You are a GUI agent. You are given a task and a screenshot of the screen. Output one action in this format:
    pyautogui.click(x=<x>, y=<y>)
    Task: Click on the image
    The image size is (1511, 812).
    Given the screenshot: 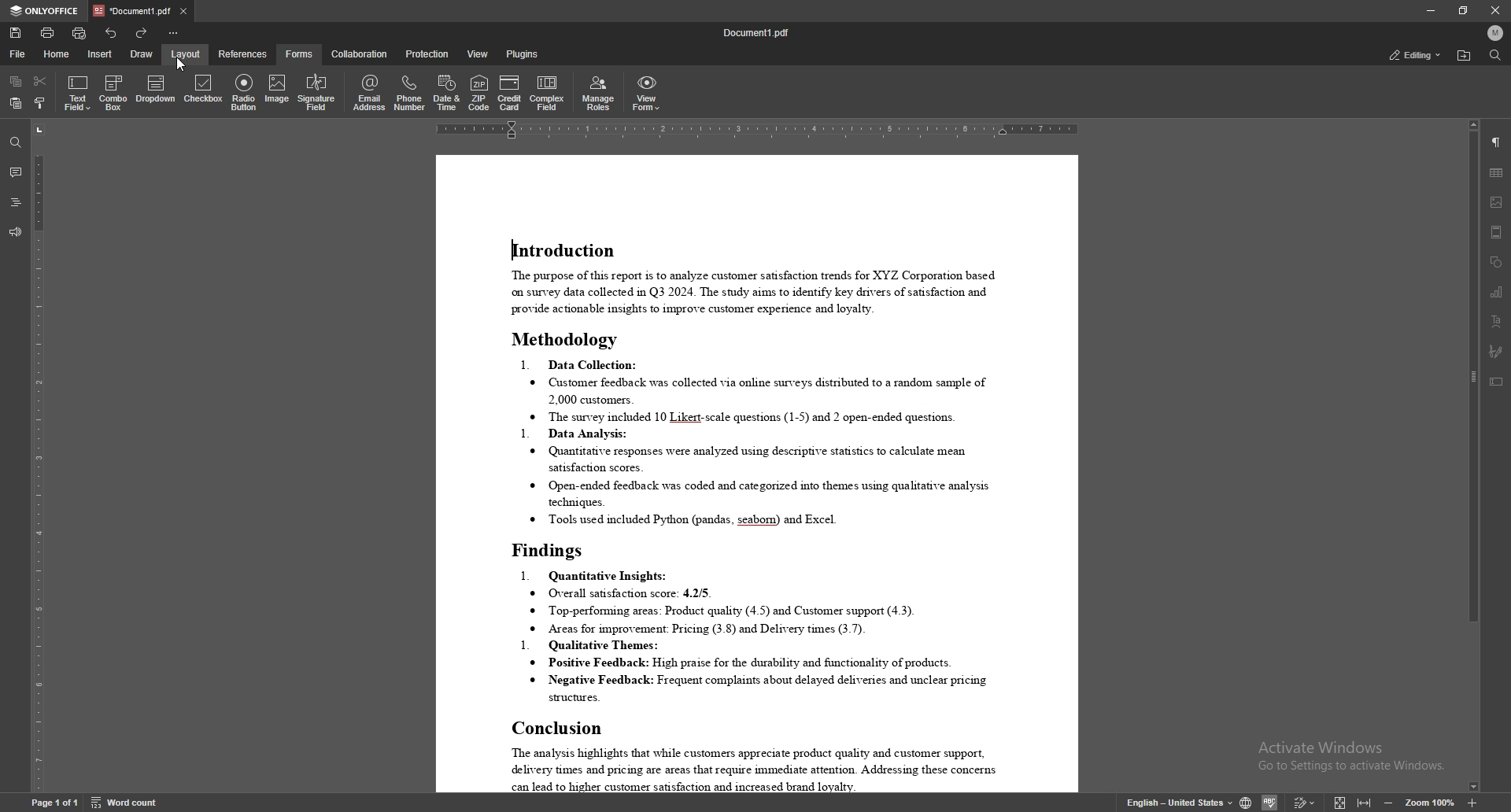 What is the action you would take?
    pyautogui.click(x=1497, y=201)
    